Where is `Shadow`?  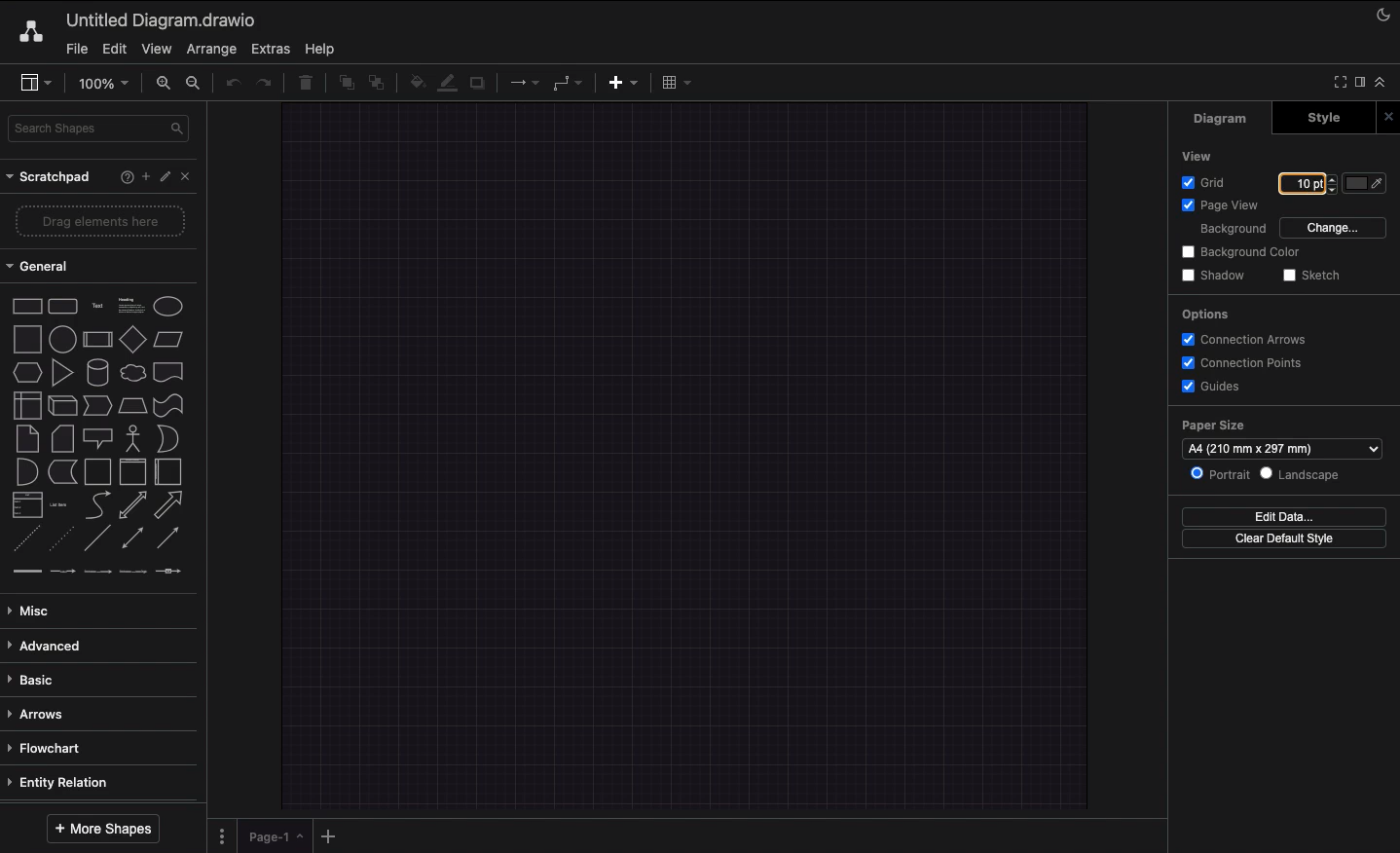
Shadow is located at coordinates (479, 87).